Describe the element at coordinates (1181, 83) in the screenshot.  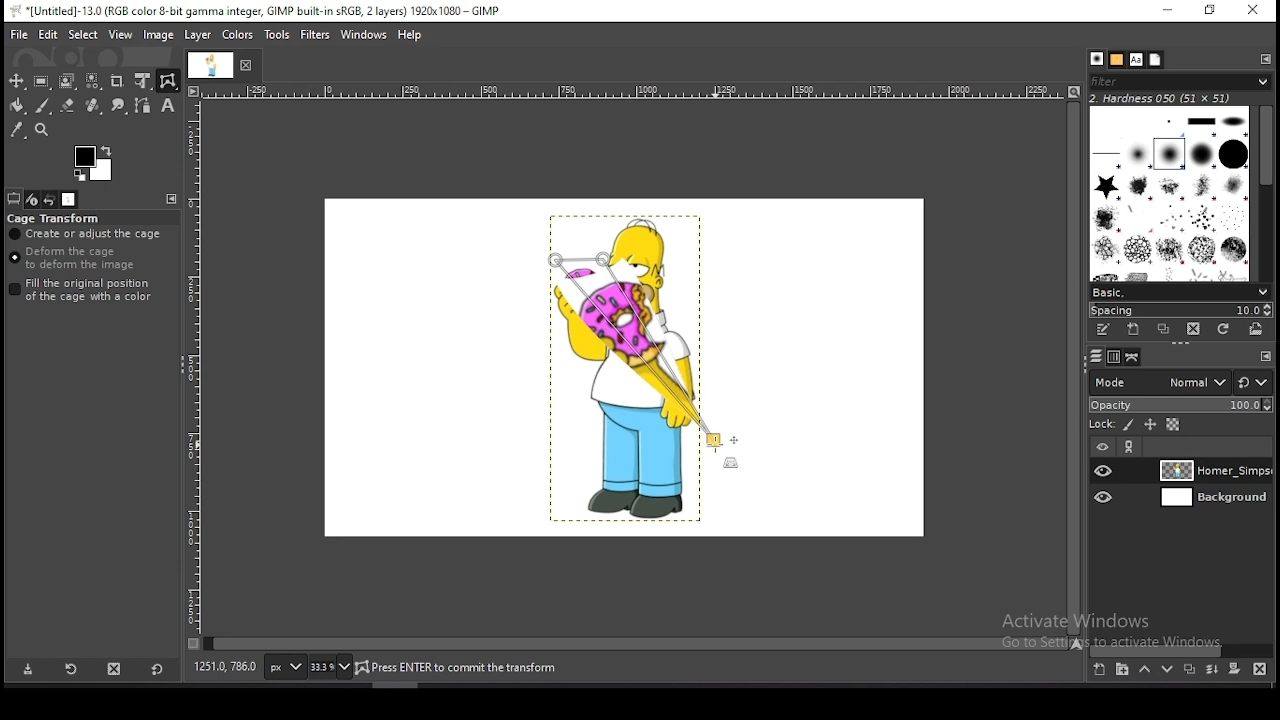
I see `filter brushes` at that location.